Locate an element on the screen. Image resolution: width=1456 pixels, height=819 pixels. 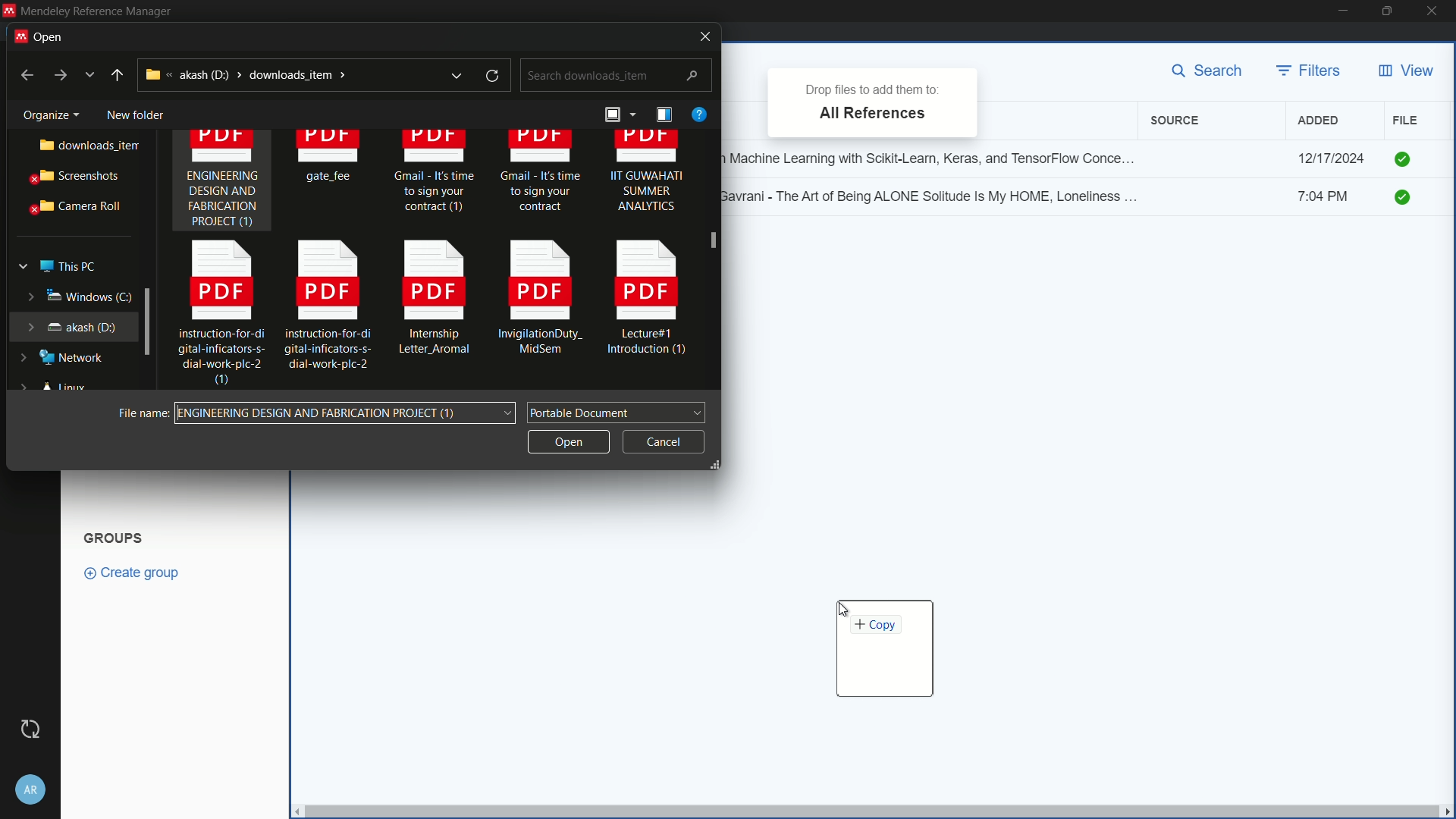
scroll left is located at coordinates (294, 811).